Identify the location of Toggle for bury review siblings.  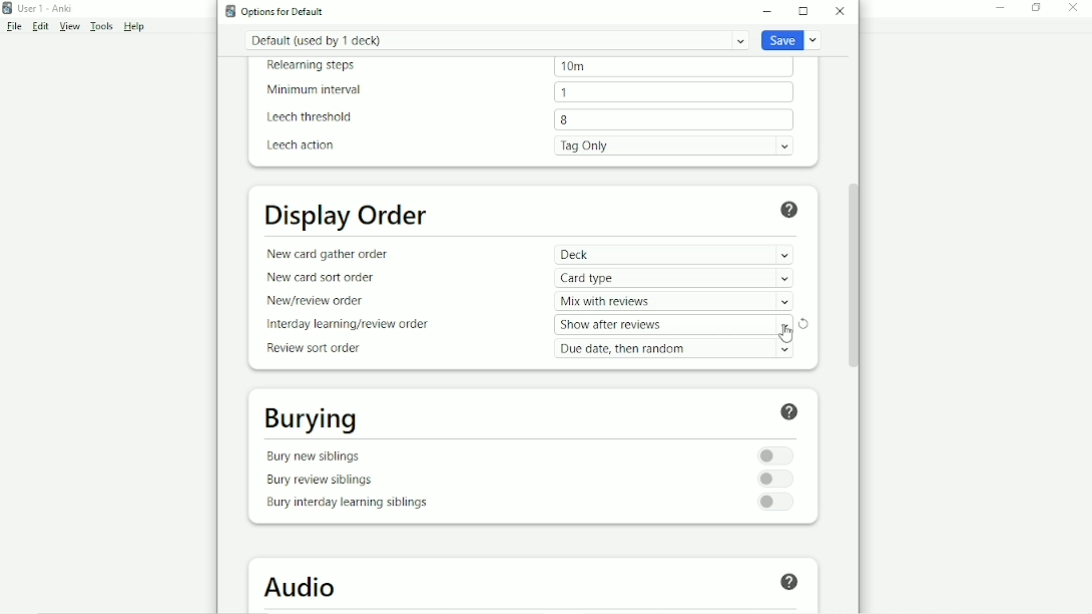
(776, 479).